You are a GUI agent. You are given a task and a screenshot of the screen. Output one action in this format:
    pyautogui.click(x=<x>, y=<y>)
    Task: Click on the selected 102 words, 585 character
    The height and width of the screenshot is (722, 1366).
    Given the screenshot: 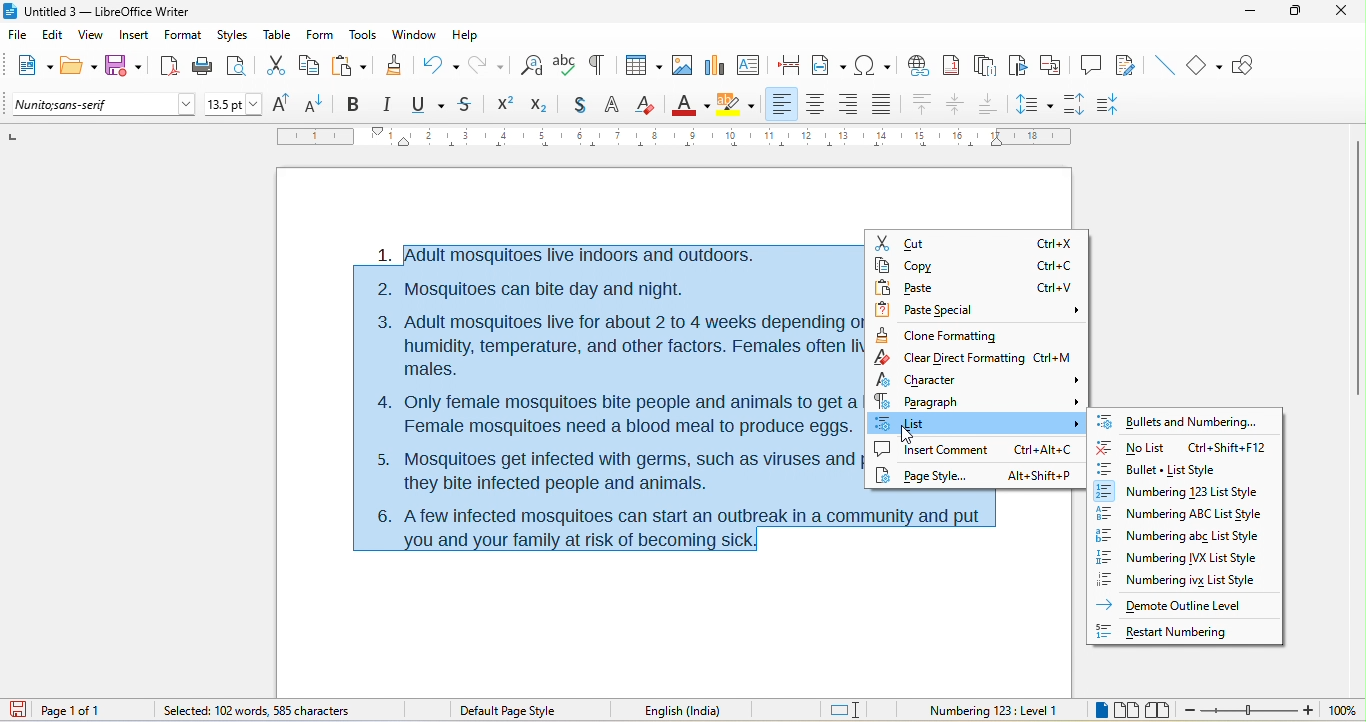 What is the action you would take?
    pyautogui.click(x=257, y=710)
    